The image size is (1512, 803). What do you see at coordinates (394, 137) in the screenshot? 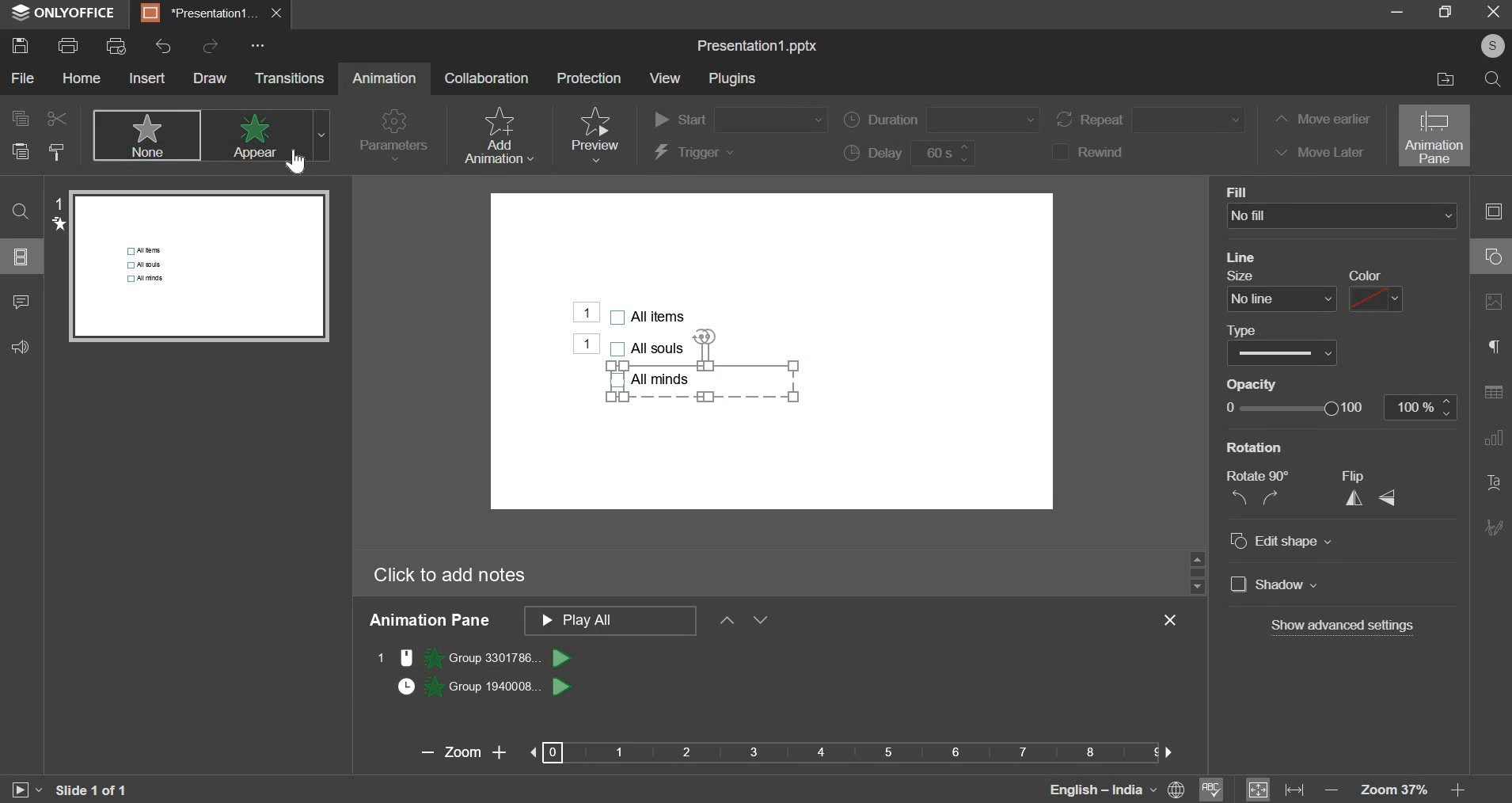
I see `parameters` at bounding box center [394, 137].